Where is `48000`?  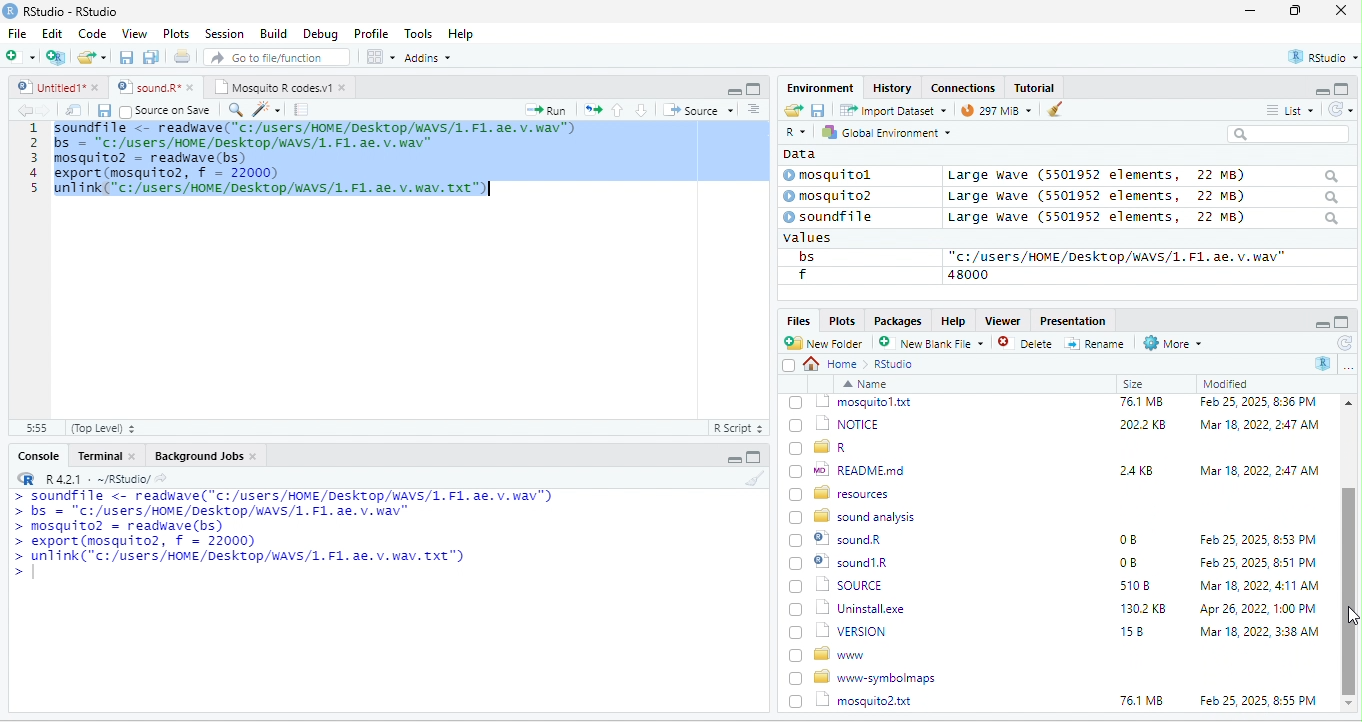 48000 is located at coordinates (969, 274).